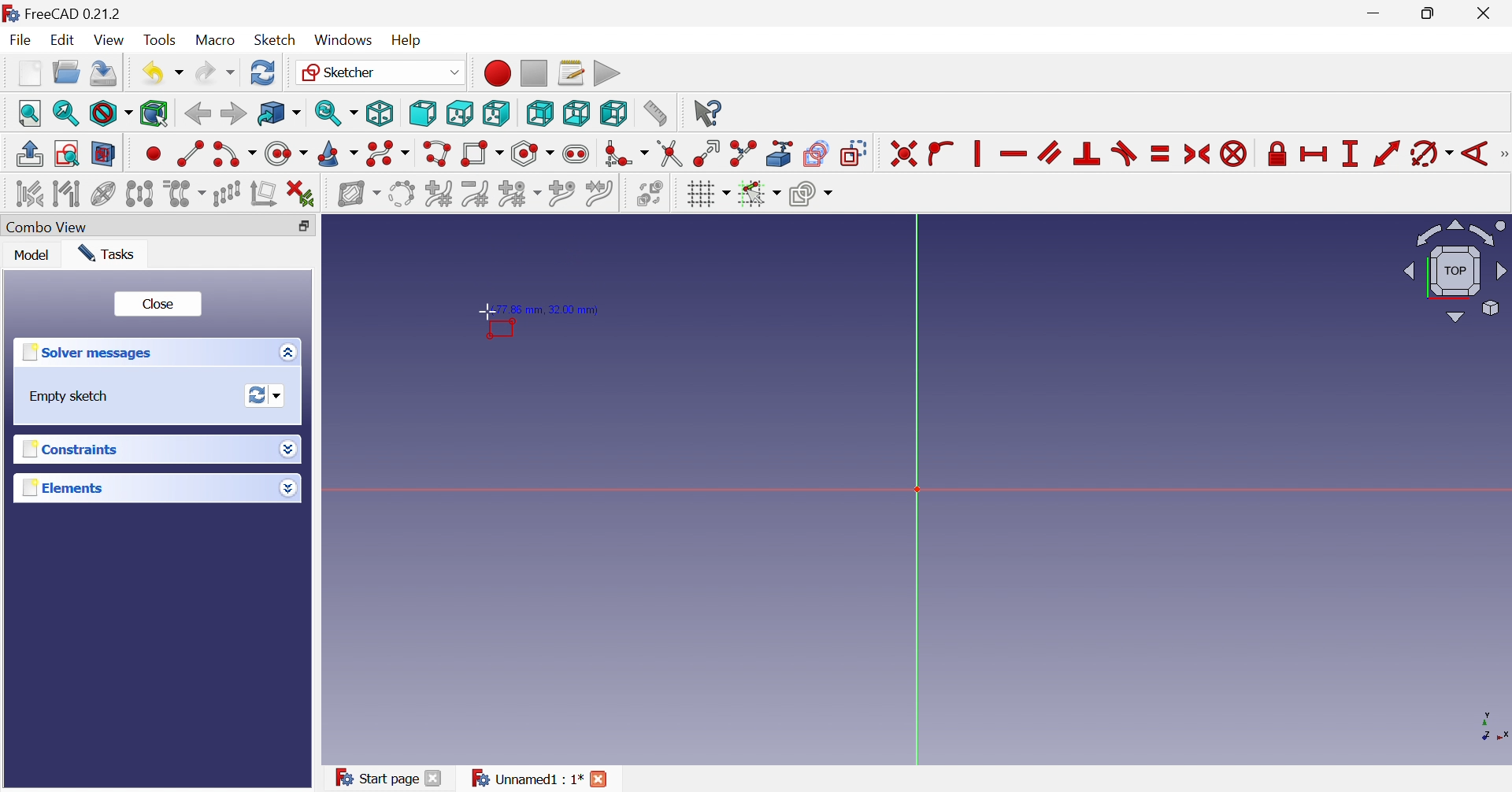 This screenshot has width=1512, height=792. I want to click on Drop down, so click(287, 489).